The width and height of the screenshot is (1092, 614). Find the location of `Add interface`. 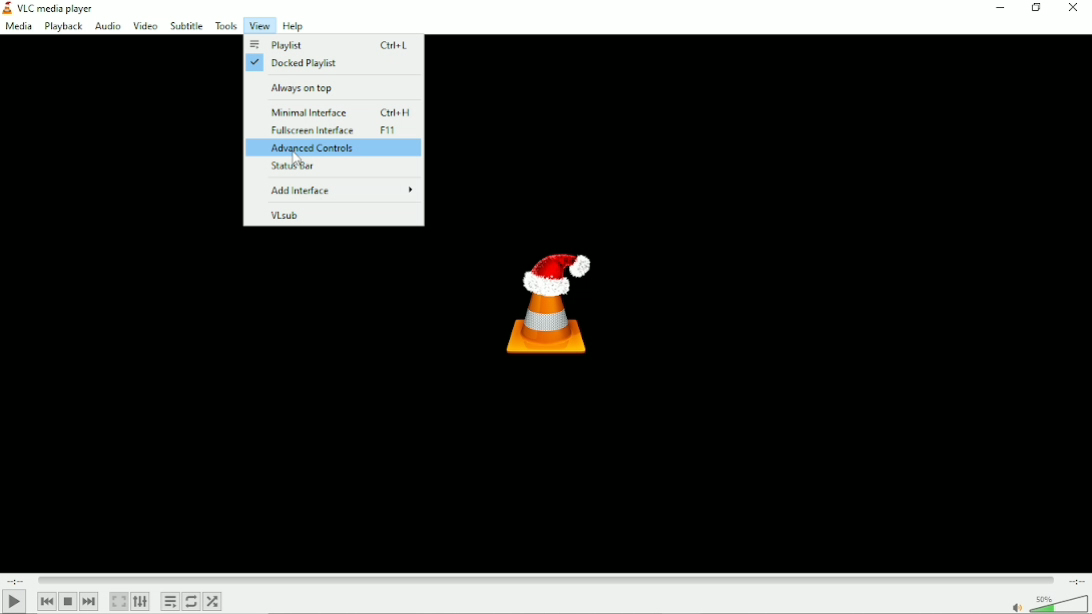

Add interface is located at coordinates (338, 190).